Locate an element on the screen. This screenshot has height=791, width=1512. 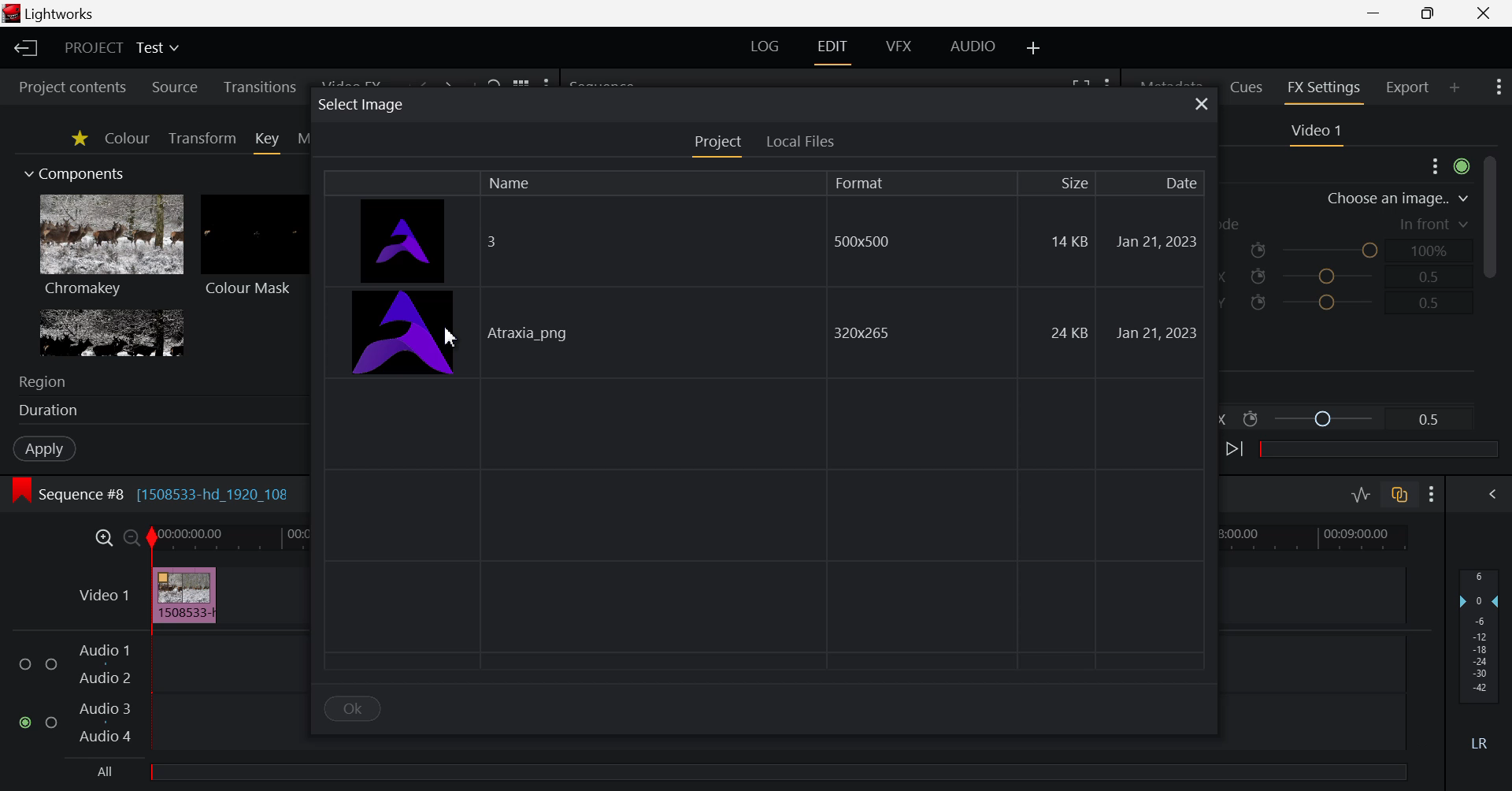
Back to Homepage is located at coordinates (22, 47).